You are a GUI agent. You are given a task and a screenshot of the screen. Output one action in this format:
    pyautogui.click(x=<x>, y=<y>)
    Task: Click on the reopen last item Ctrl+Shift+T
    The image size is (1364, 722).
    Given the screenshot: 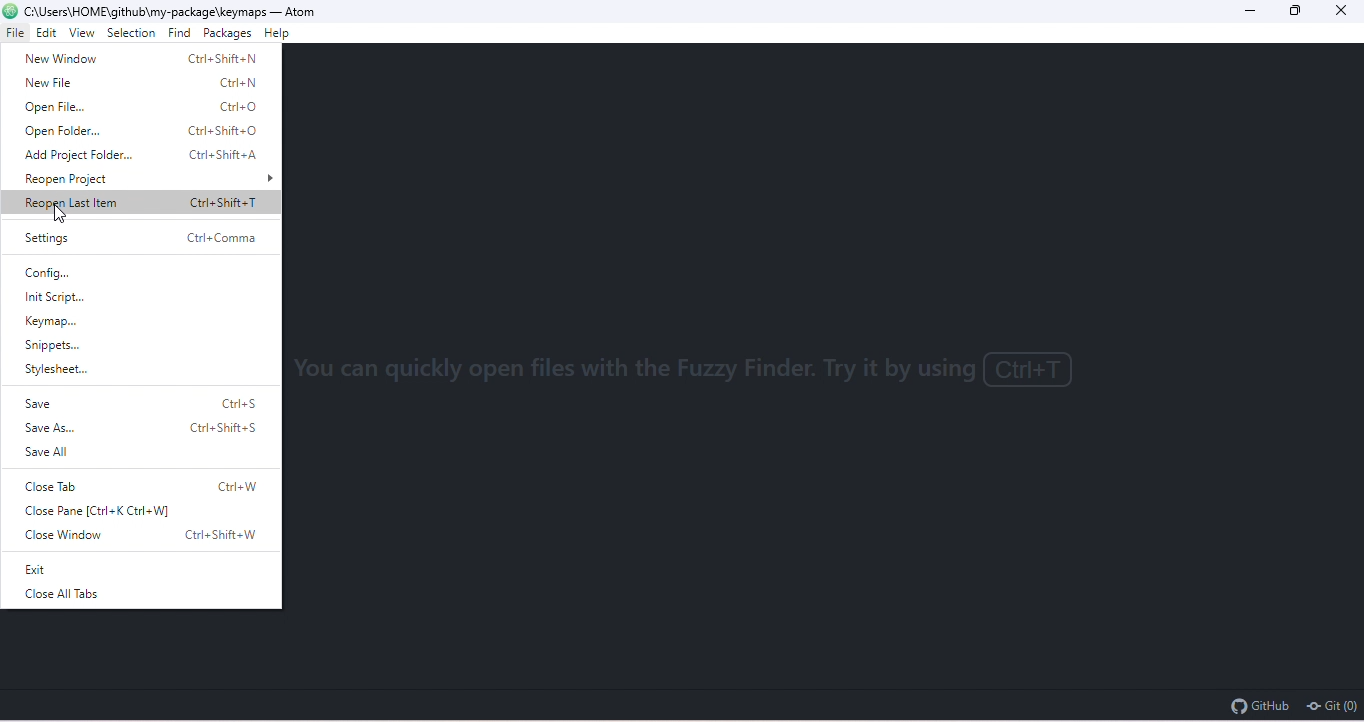 What is the action you would take?
    pyautogui.click(x=143, y=201)
    